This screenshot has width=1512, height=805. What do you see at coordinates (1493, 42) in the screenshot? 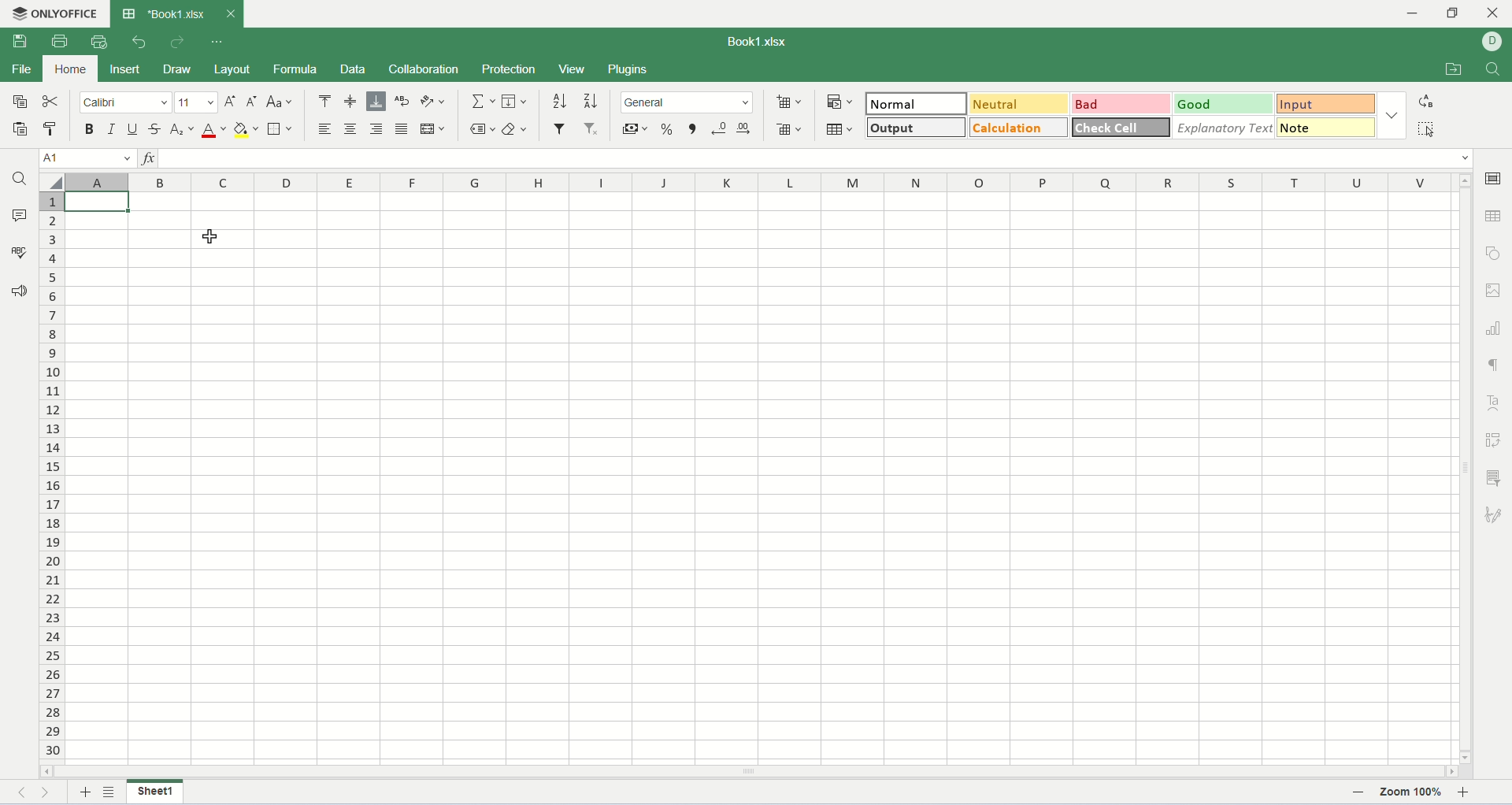
I see `username` at bounding box center [1493, 42].